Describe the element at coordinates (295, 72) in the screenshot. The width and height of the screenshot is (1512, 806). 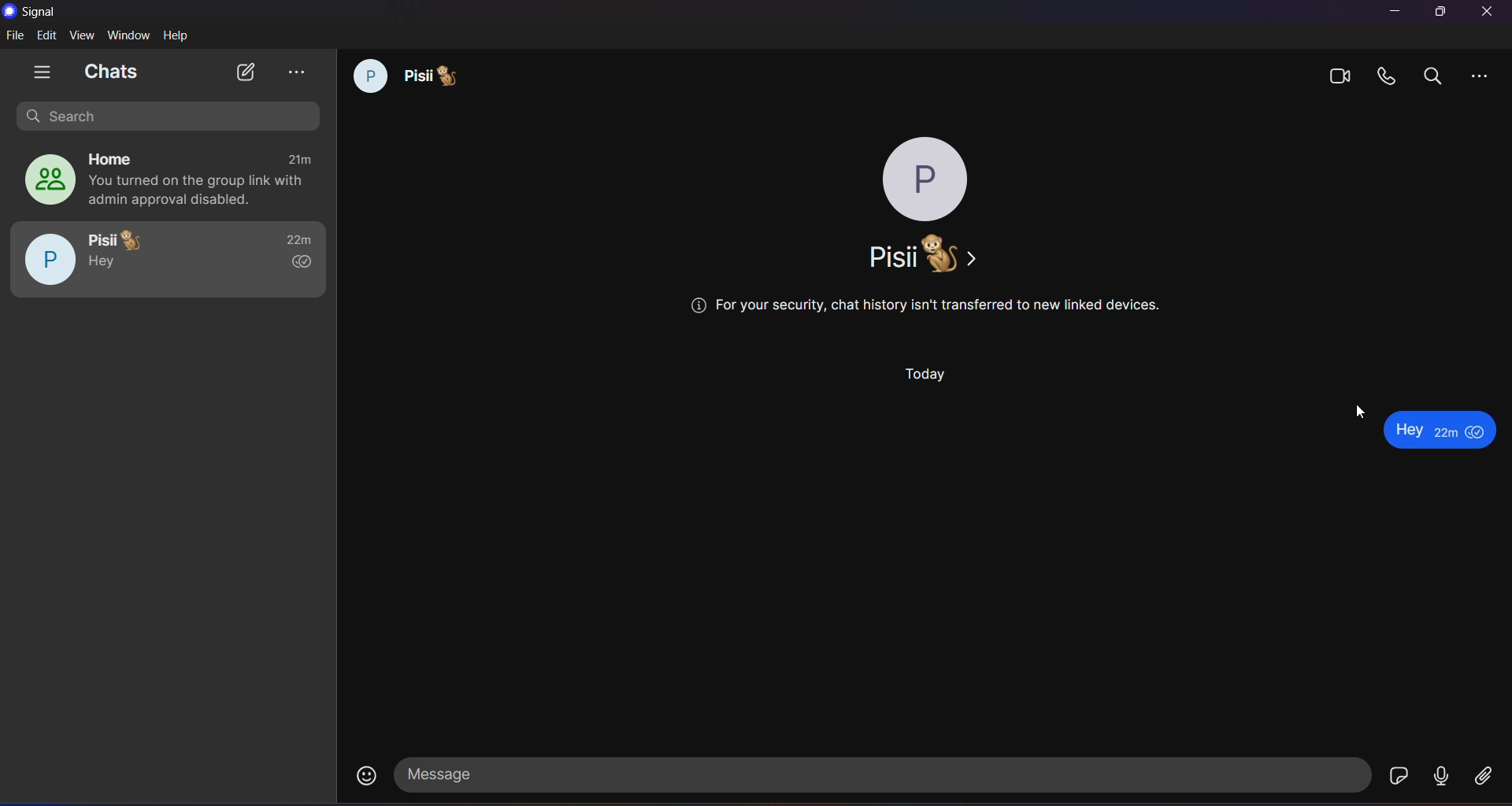
I see `view archieve` at that location.